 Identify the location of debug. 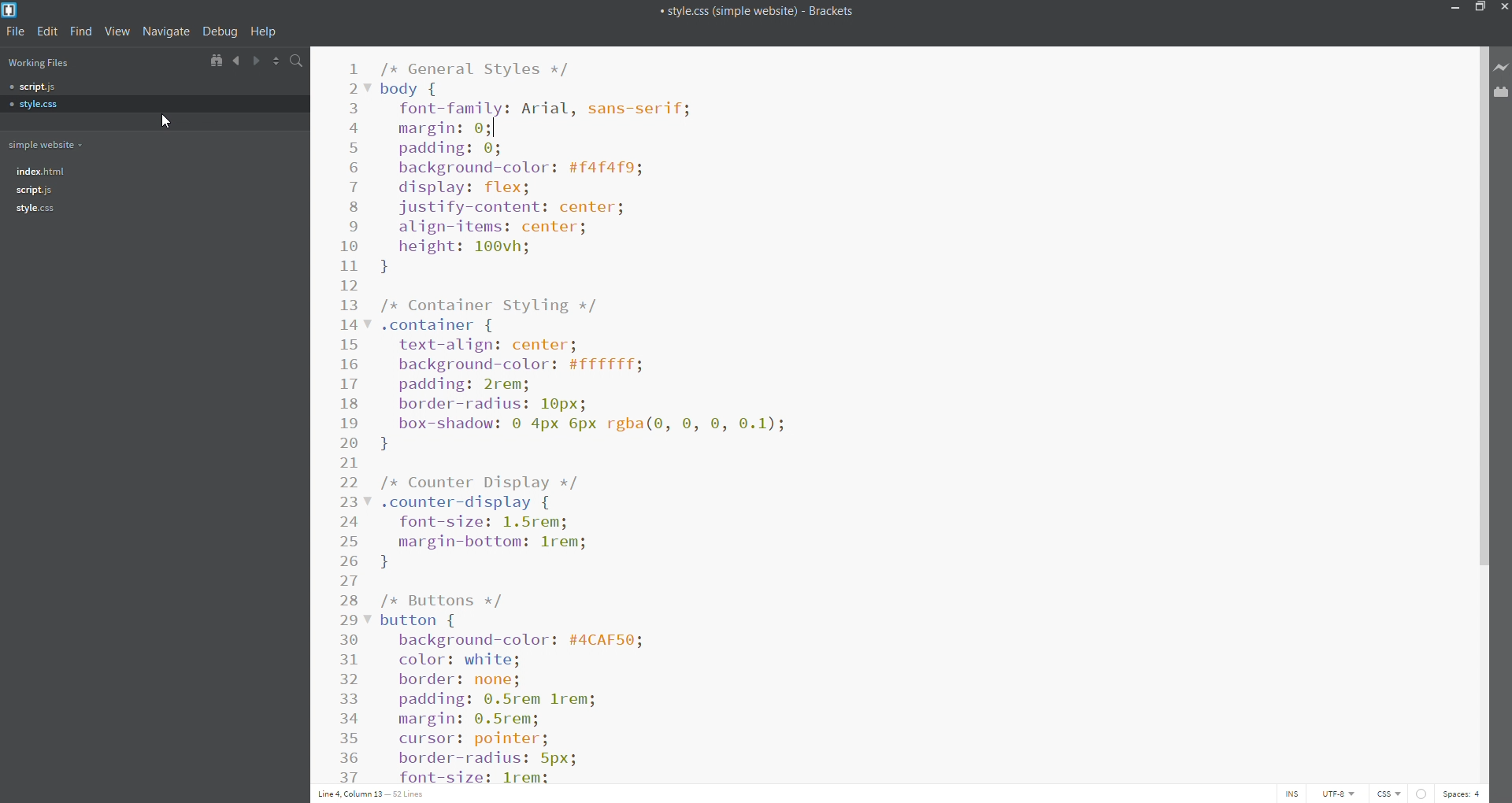
(220, 31).